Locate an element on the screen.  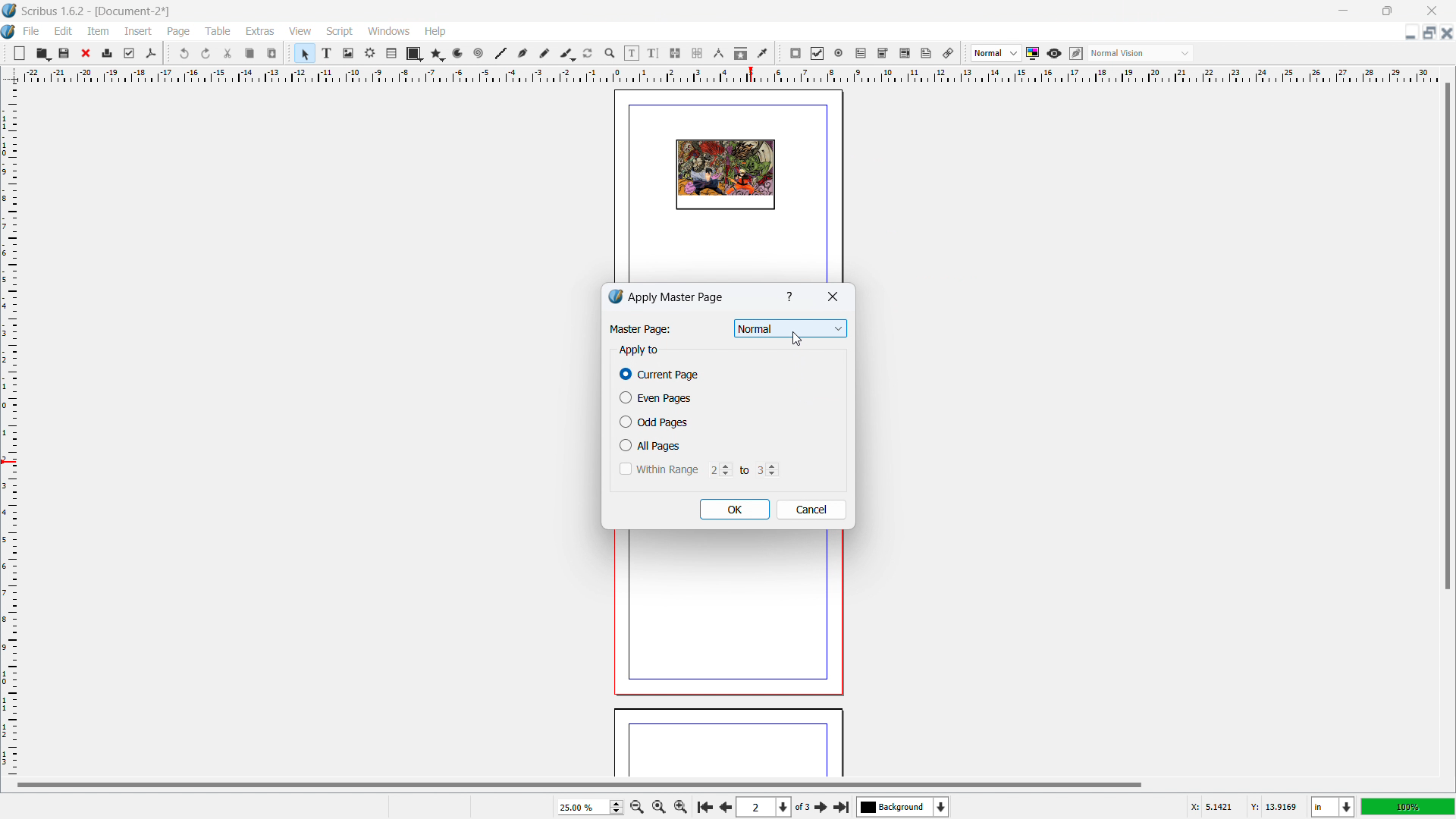
script is located at coordinates (340, 32).